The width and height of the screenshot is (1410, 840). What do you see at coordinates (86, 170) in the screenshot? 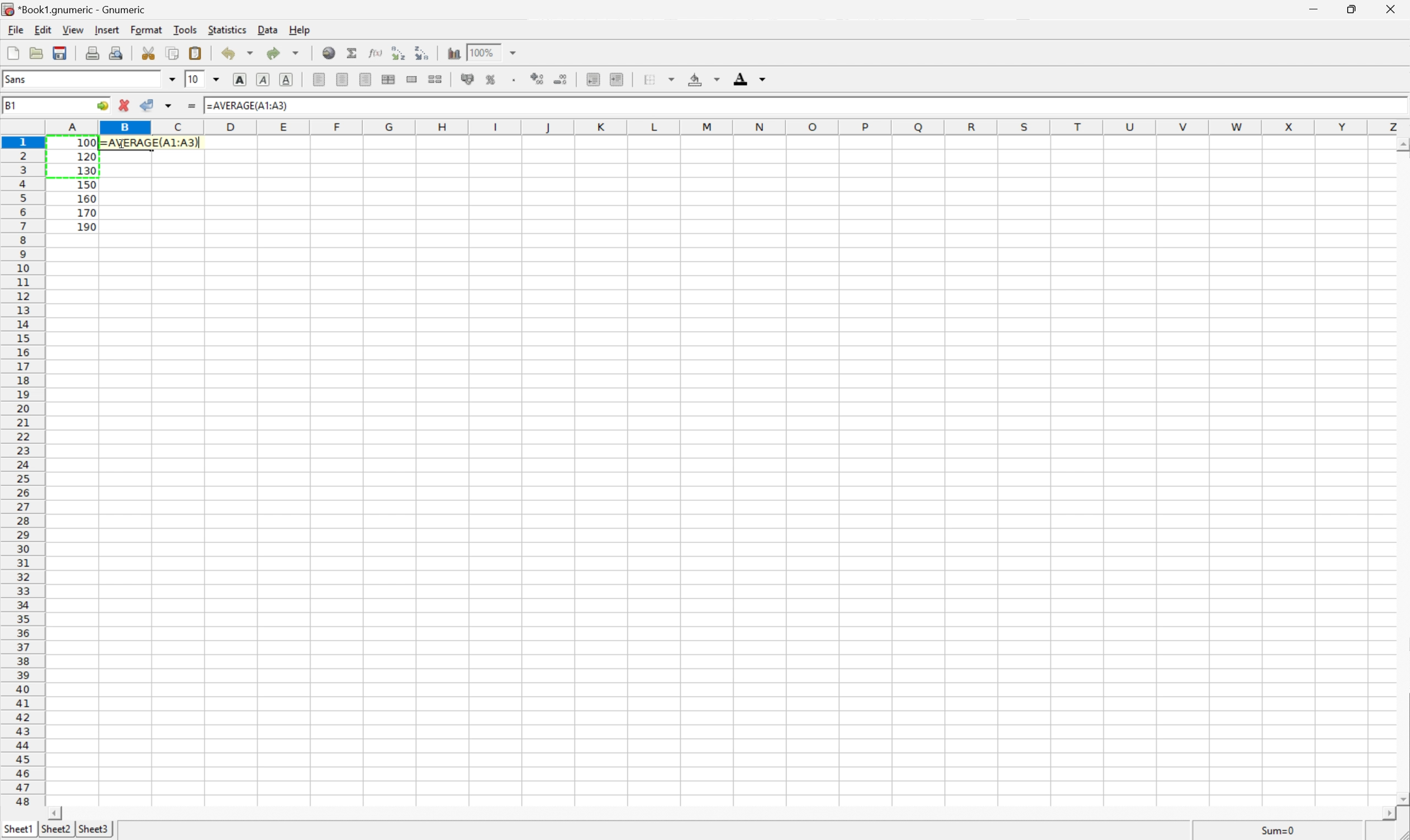
I see `130` at bounding box center [86, 170].